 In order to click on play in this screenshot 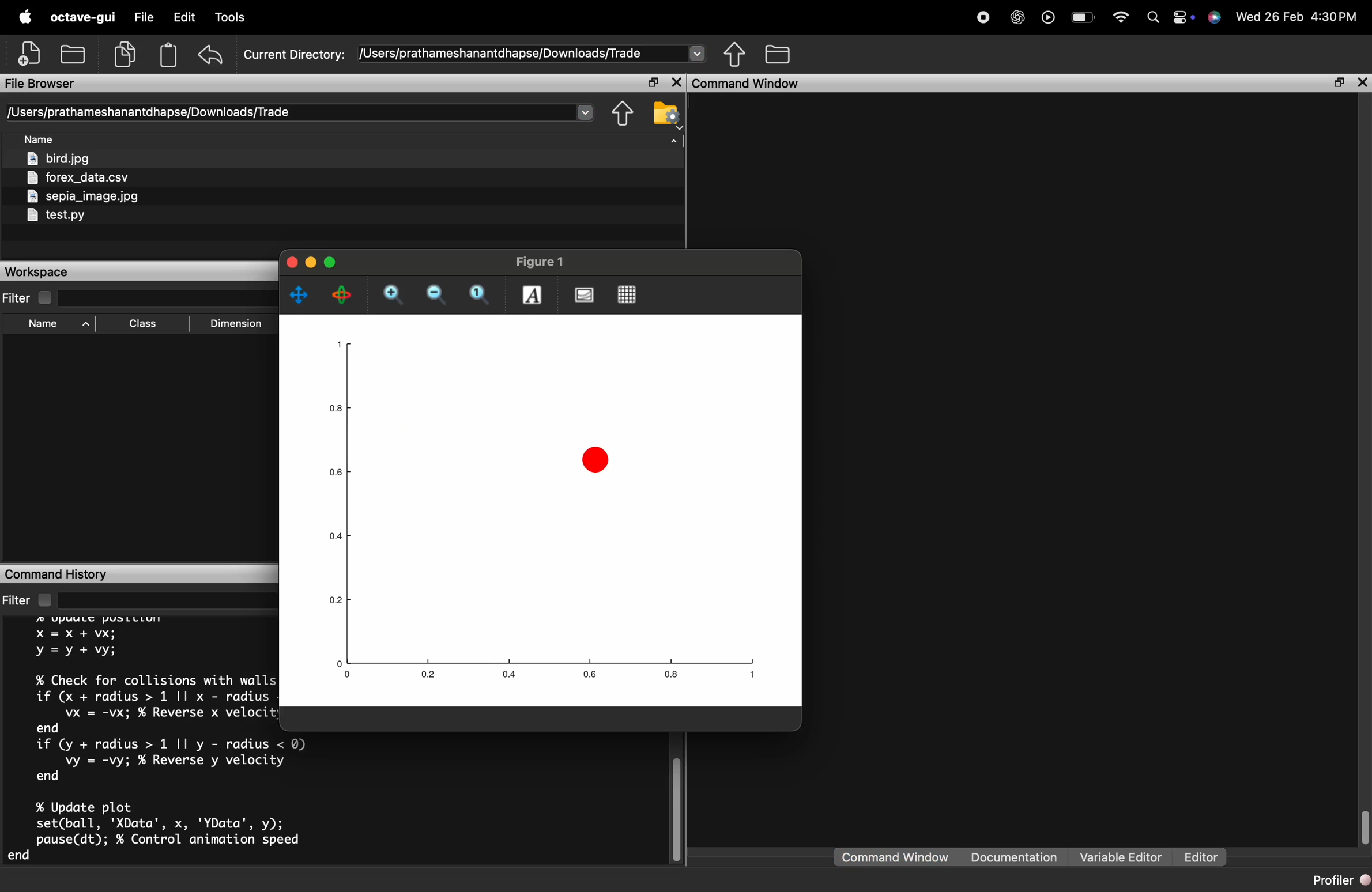, I will do `click(1048, 18)`.